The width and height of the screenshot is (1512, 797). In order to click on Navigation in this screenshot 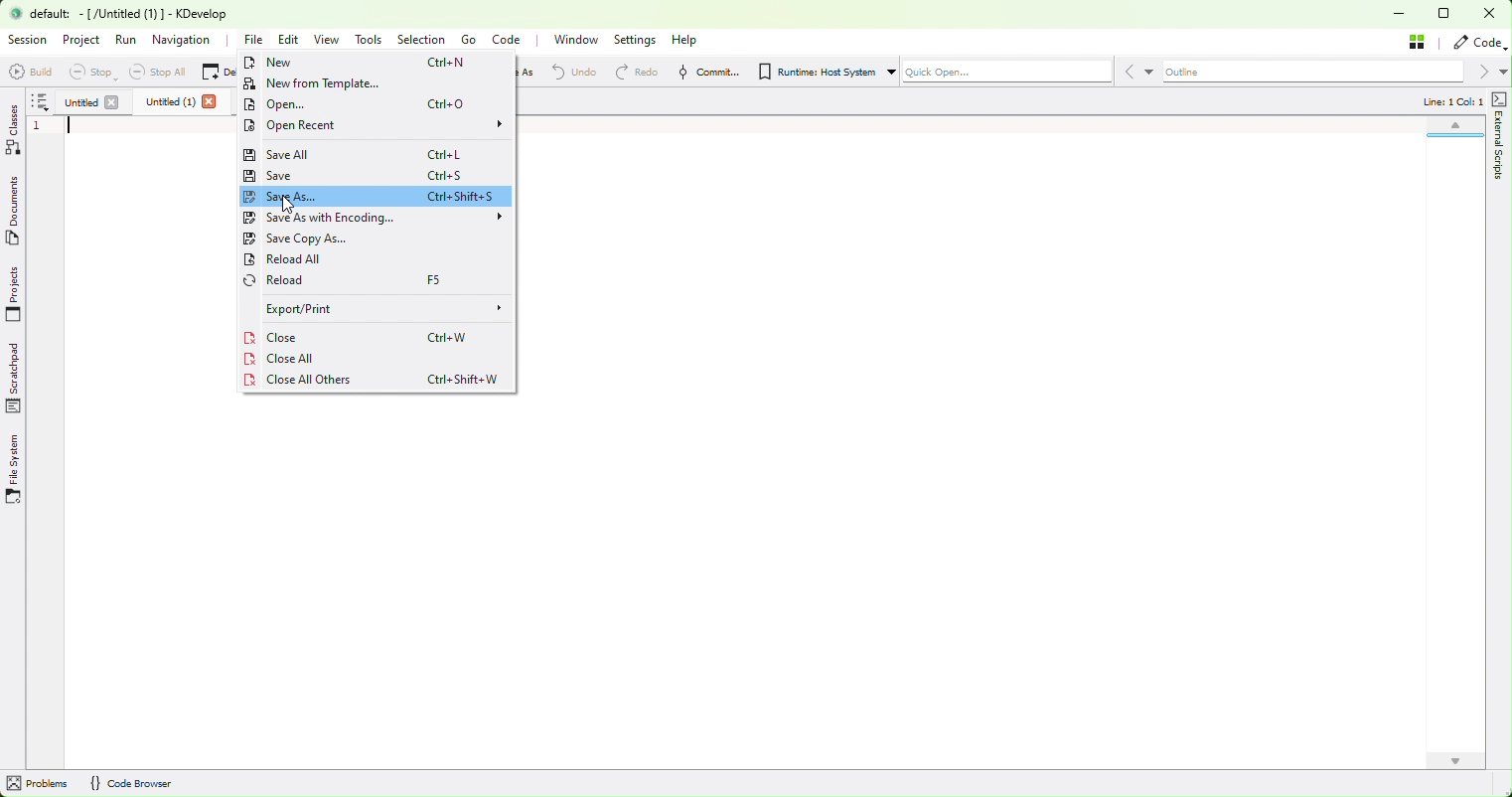, I will do `click(181, 42)`.